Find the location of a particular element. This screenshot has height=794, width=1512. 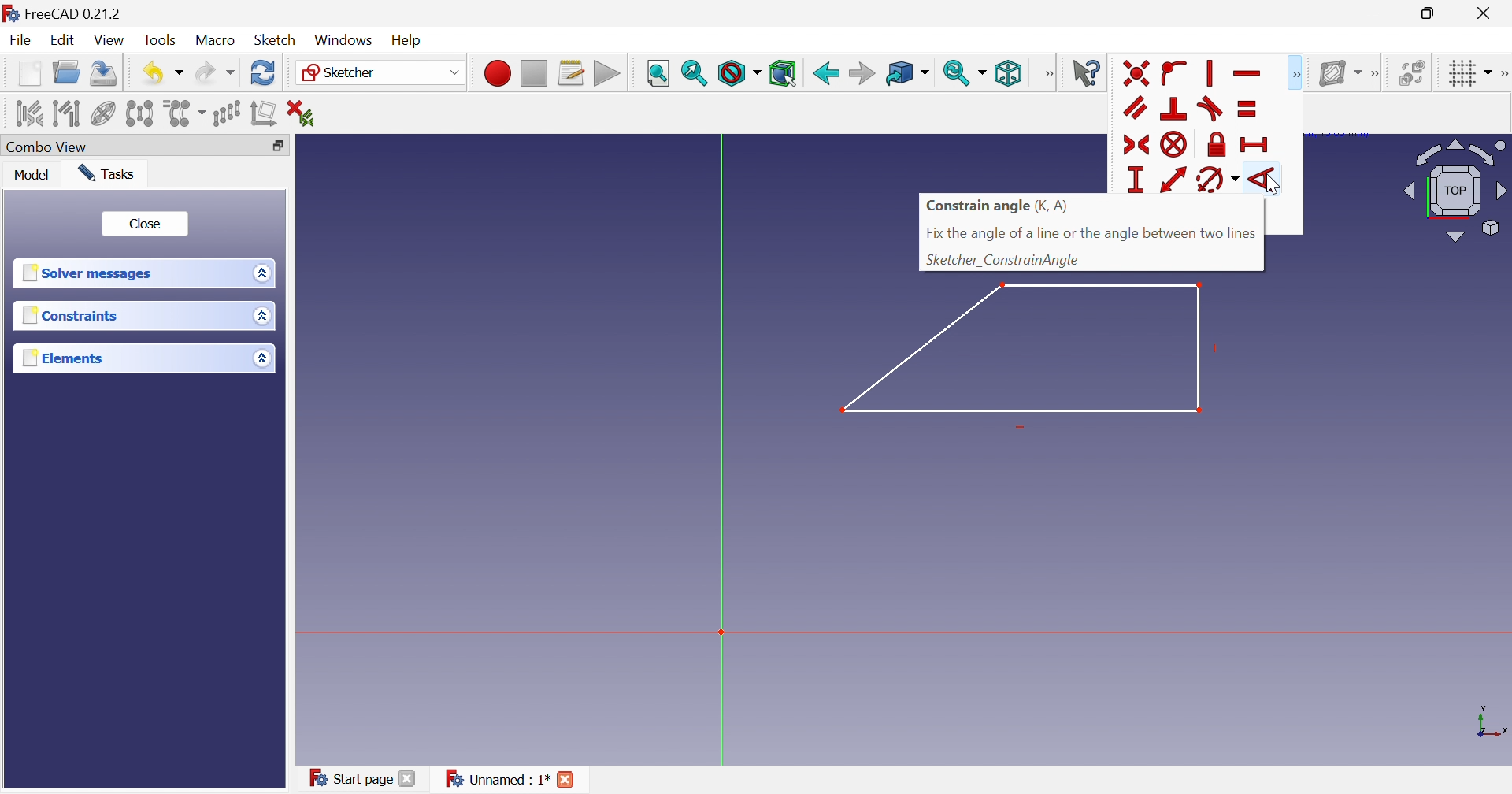

Show virtual space is located at coordinates (1411, 72).